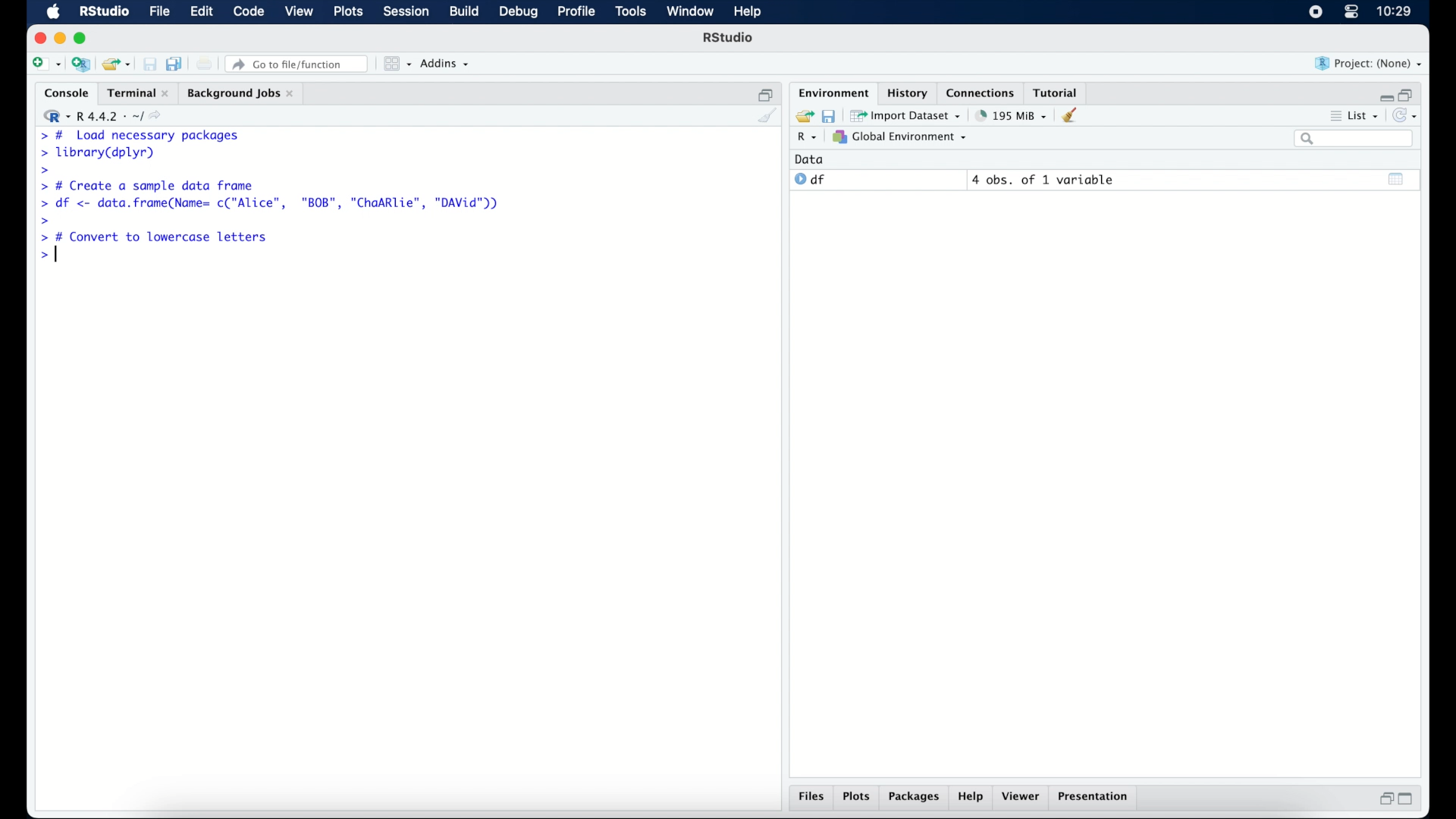  I want to click on build, so click(463, 12).